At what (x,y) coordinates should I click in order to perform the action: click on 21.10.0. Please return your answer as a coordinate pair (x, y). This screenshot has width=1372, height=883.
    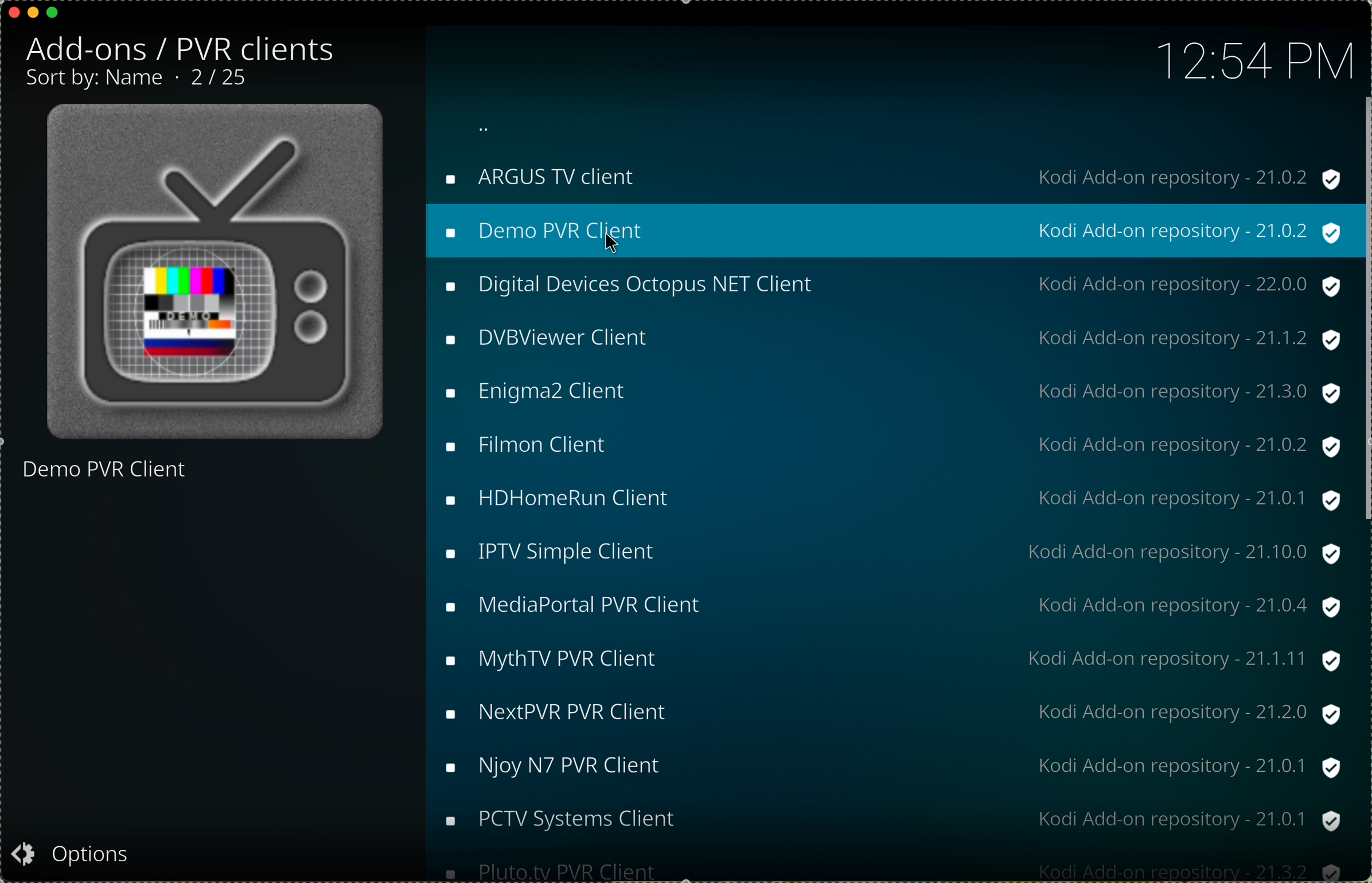
    Looking at the image, I should click on (1279, 554).